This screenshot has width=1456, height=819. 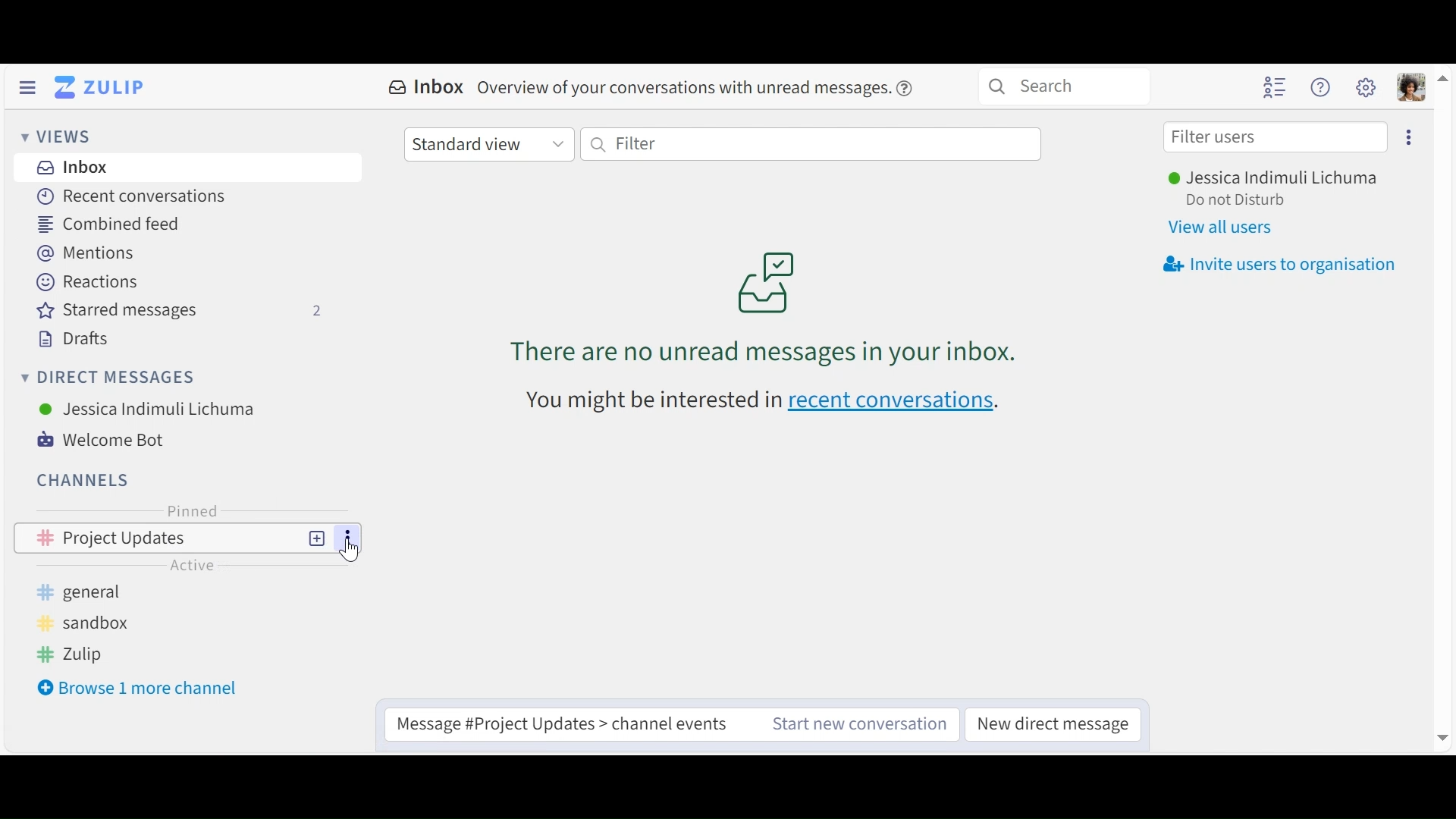 I want to click on zulip, so click(x=72, y=654).